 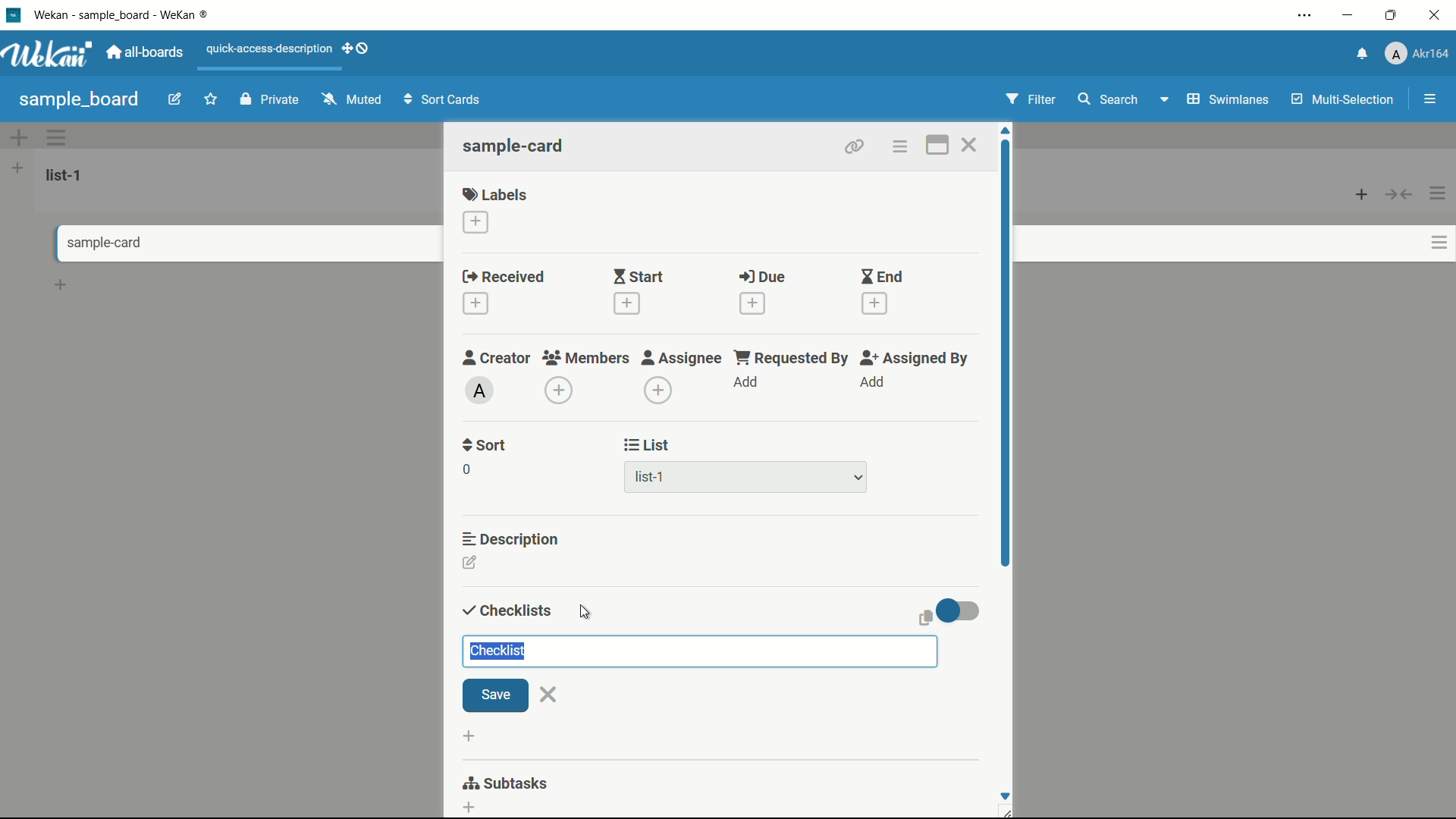 What do you see at coordinates (475, 304) in the screenshot?
I see `add date` at bounding box center [475, 304].